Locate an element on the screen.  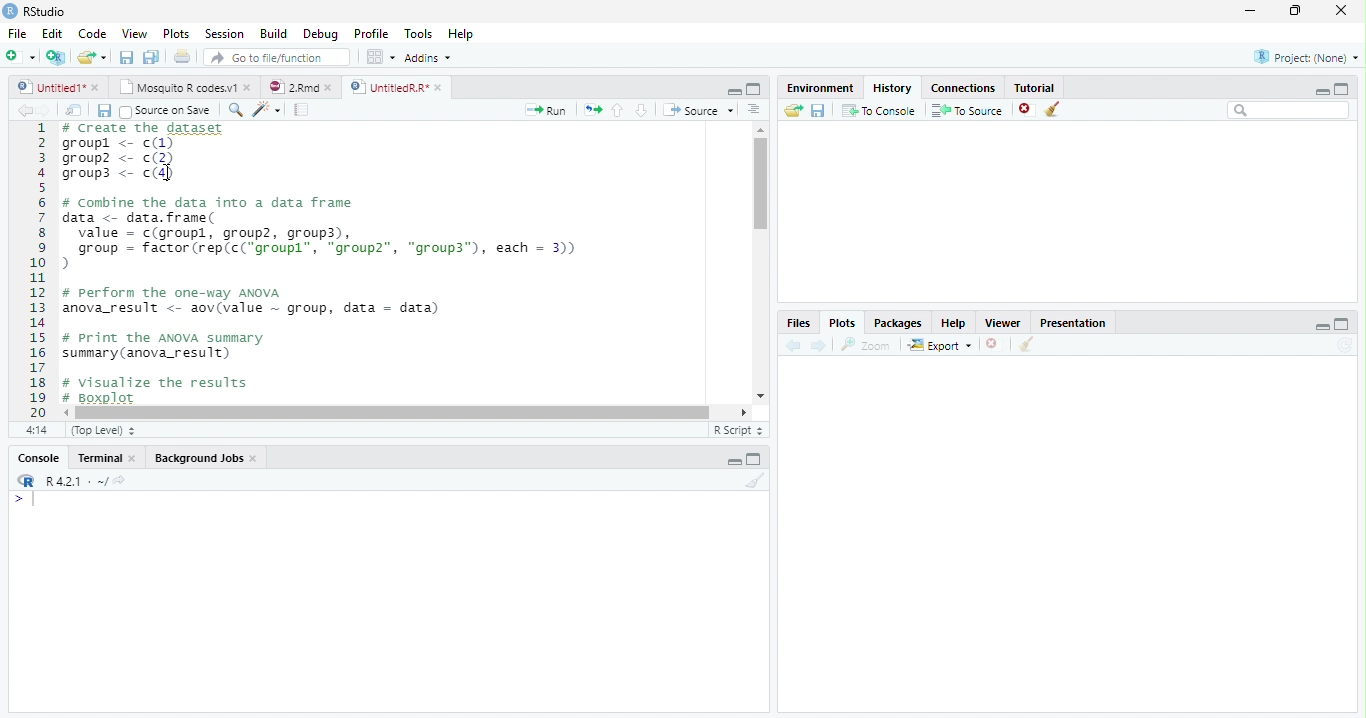
Maximize is located at coordinates (1297, 11).